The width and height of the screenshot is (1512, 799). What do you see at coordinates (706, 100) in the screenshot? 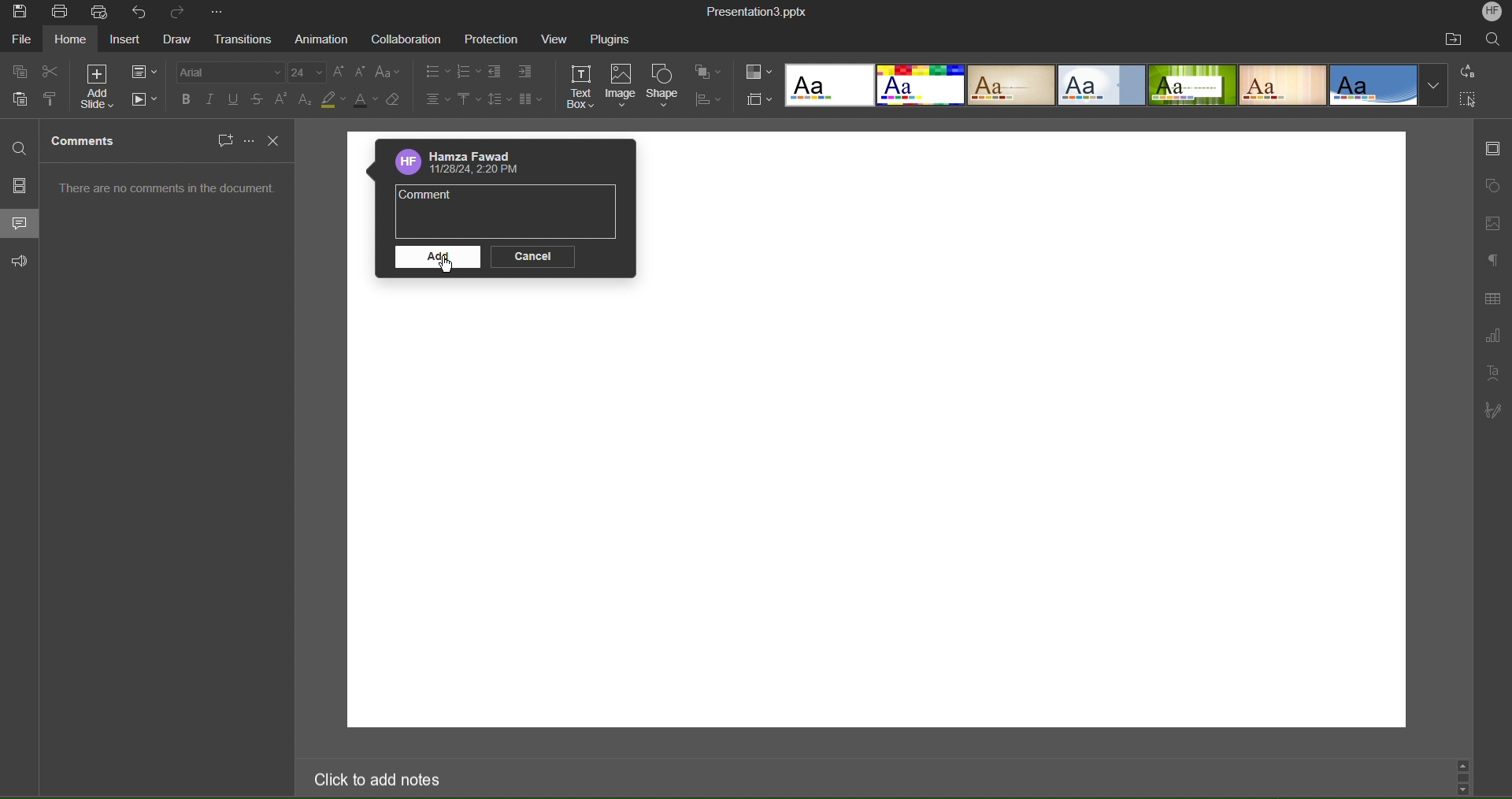
I see `Distribute` at bounding box center [706, 100].